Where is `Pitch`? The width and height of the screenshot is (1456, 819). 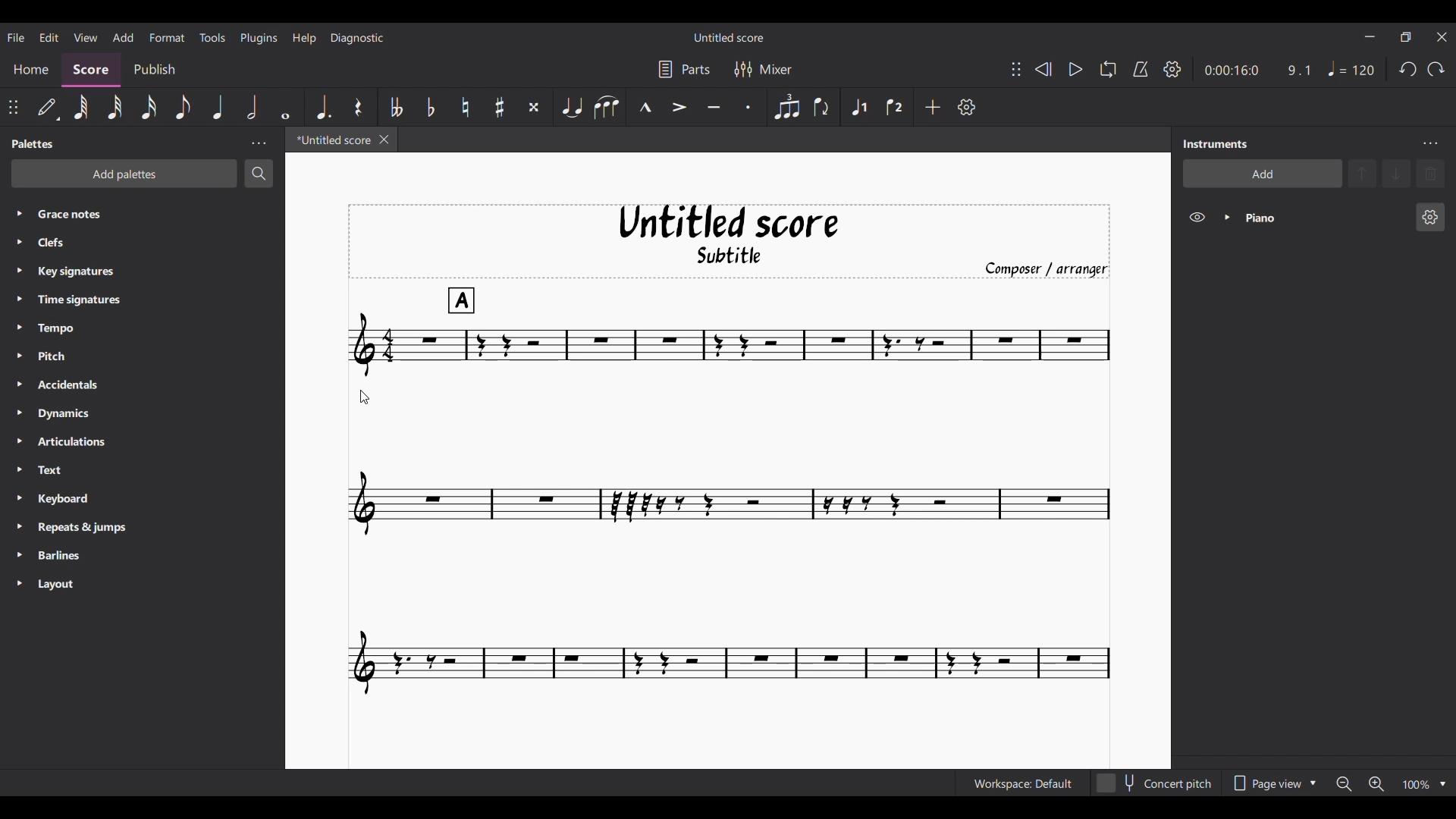
Pitch is located at coordinates (86, 355).